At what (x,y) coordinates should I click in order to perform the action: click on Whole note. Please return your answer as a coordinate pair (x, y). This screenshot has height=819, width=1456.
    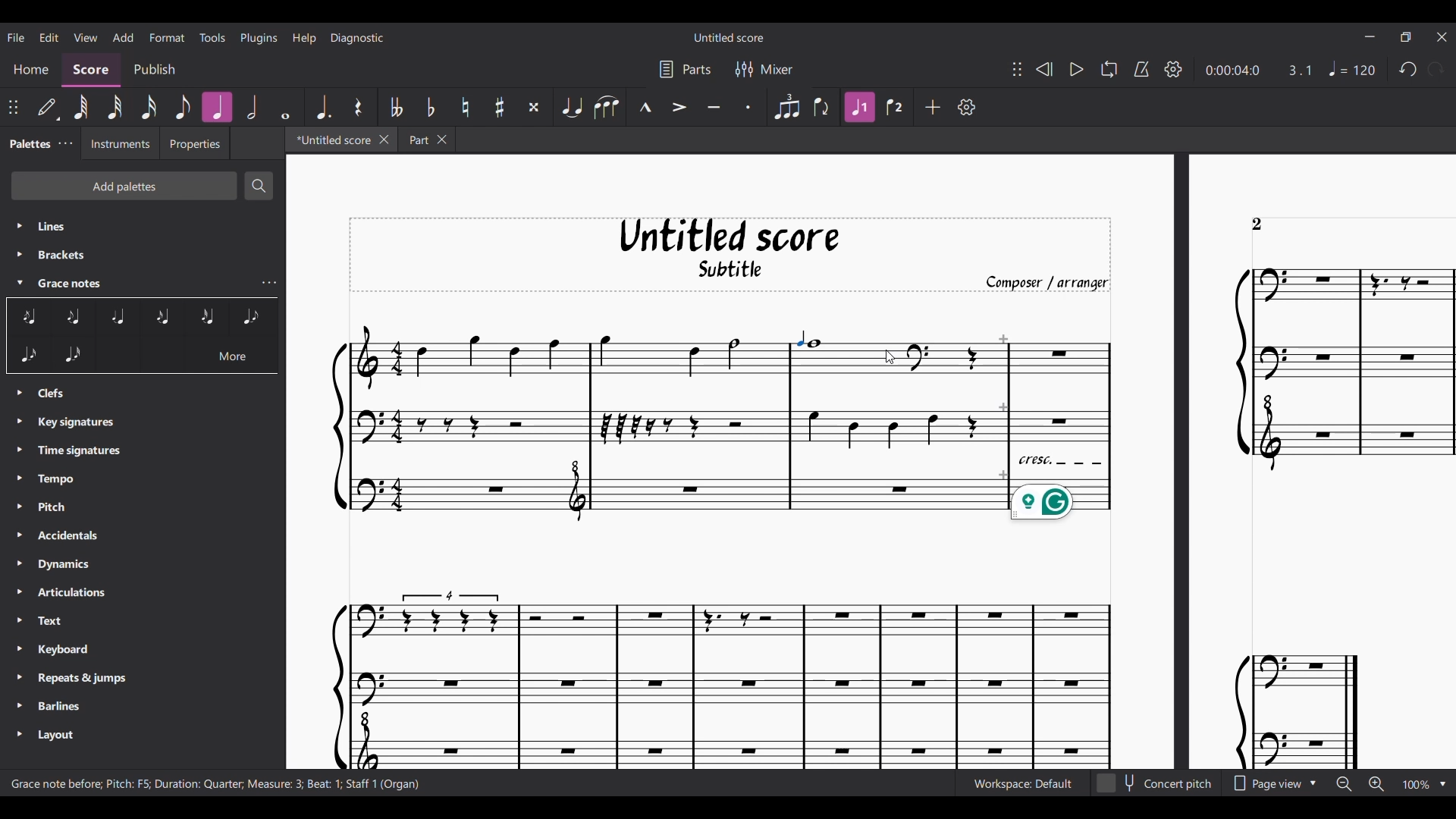
    Looking at the image, I should click on (285, 107).